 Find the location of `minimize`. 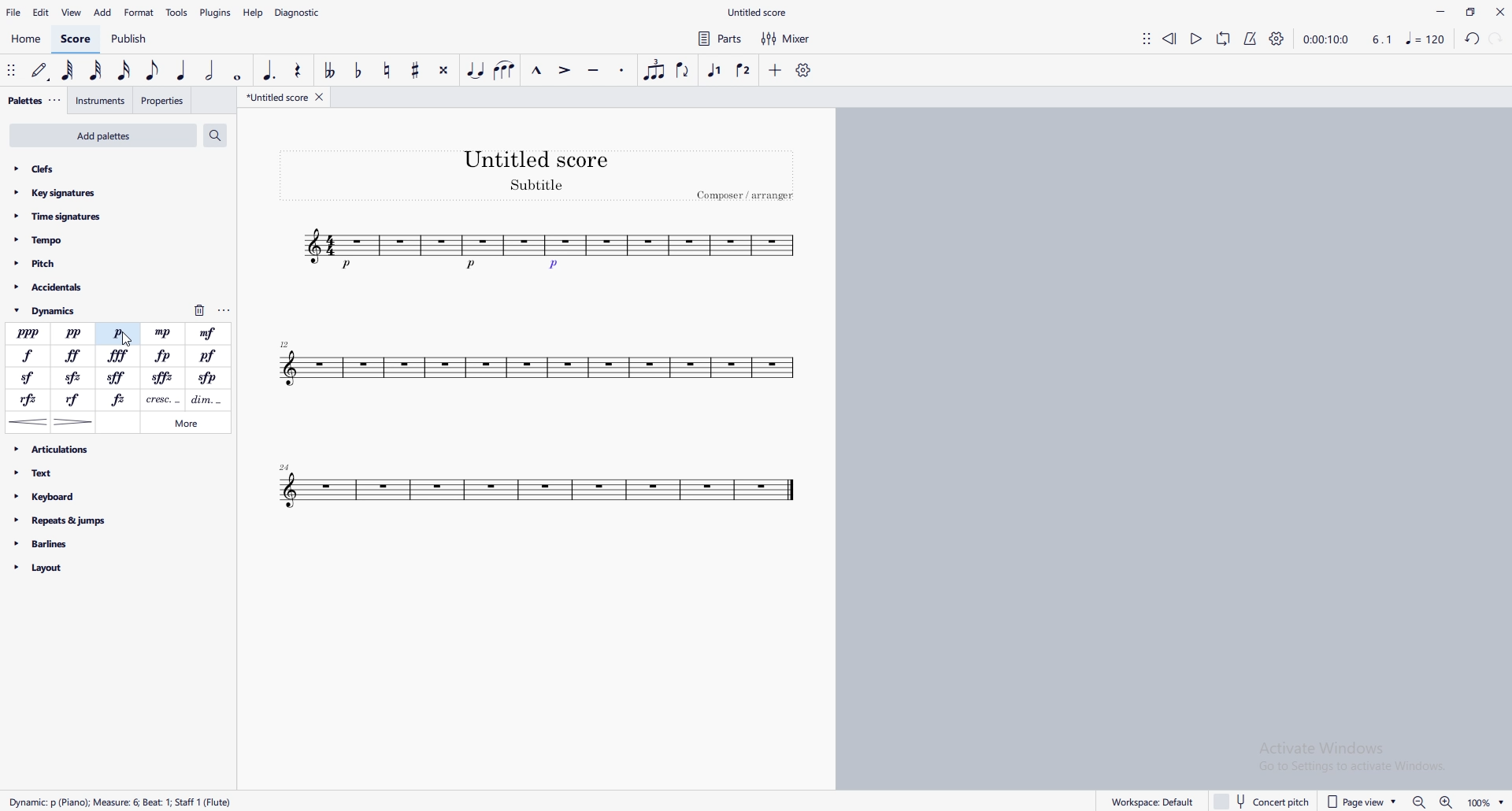

minimize is located at coordinates (1441, 11).